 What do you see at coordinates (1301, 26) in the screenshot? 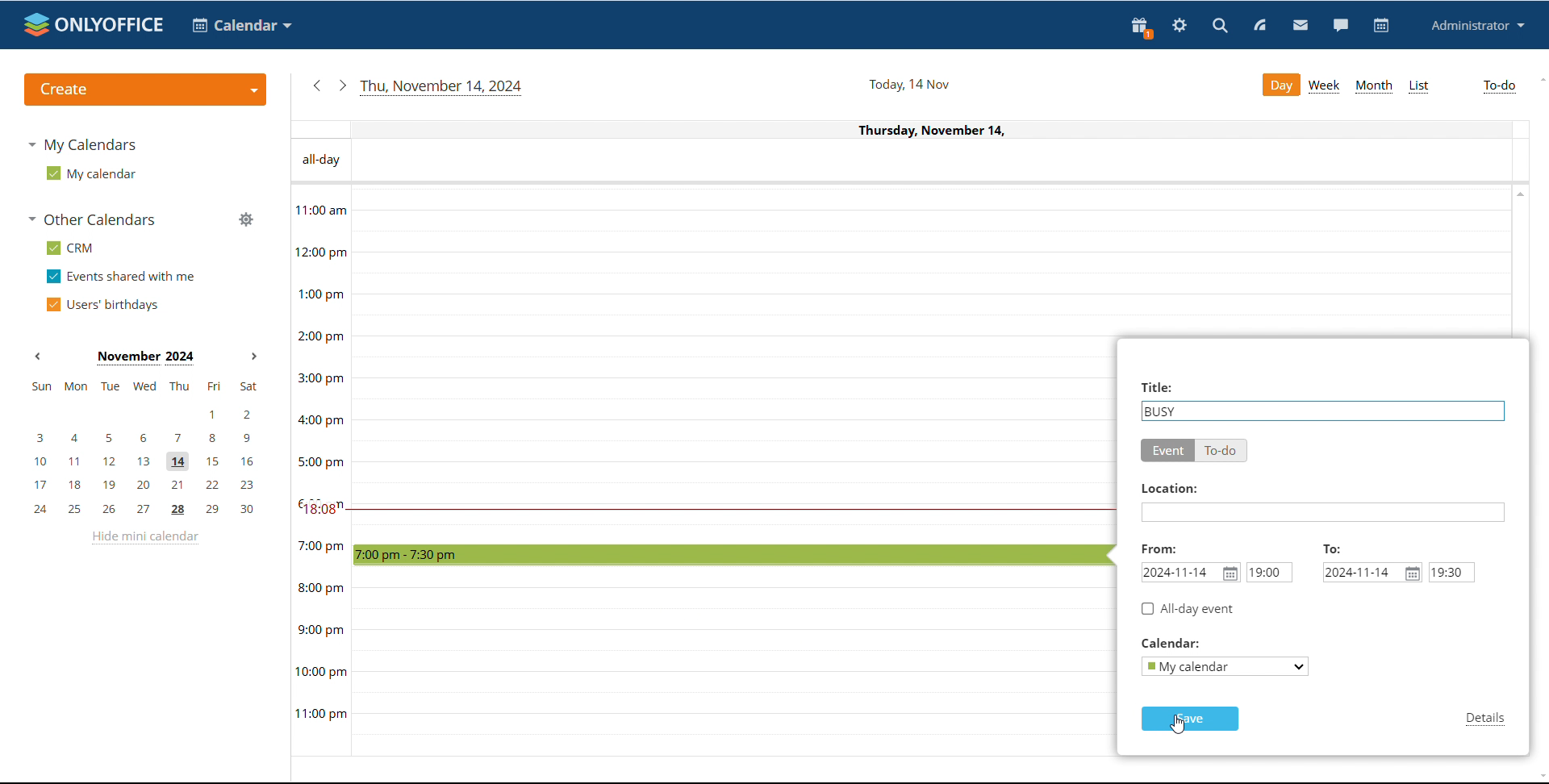
I see `mail` at bounding box center [1301, 26].